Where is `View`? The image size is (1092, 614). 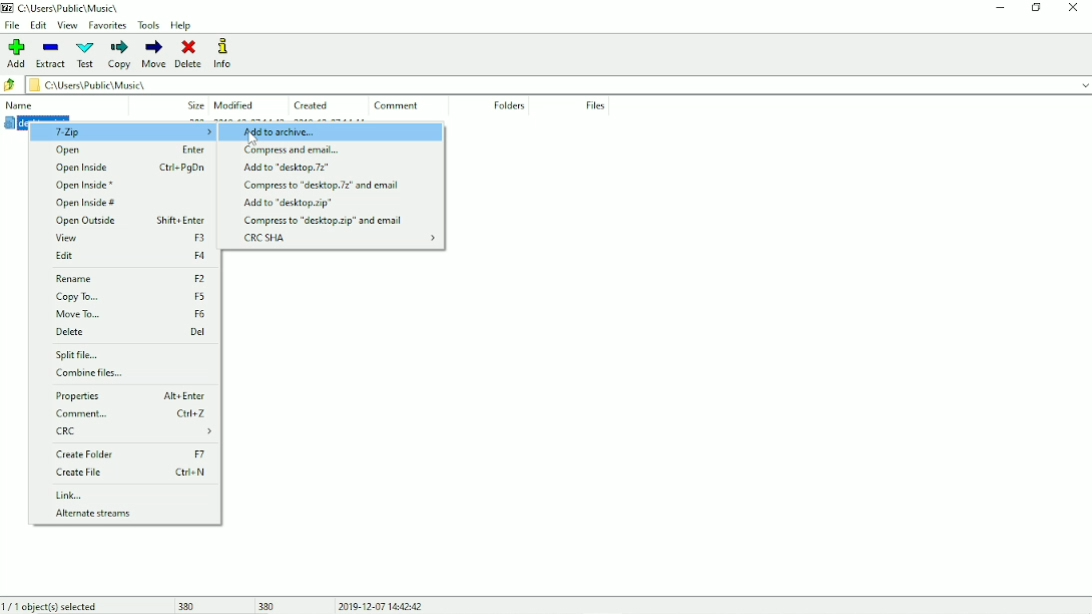 View is located at coordinates (67, 26).